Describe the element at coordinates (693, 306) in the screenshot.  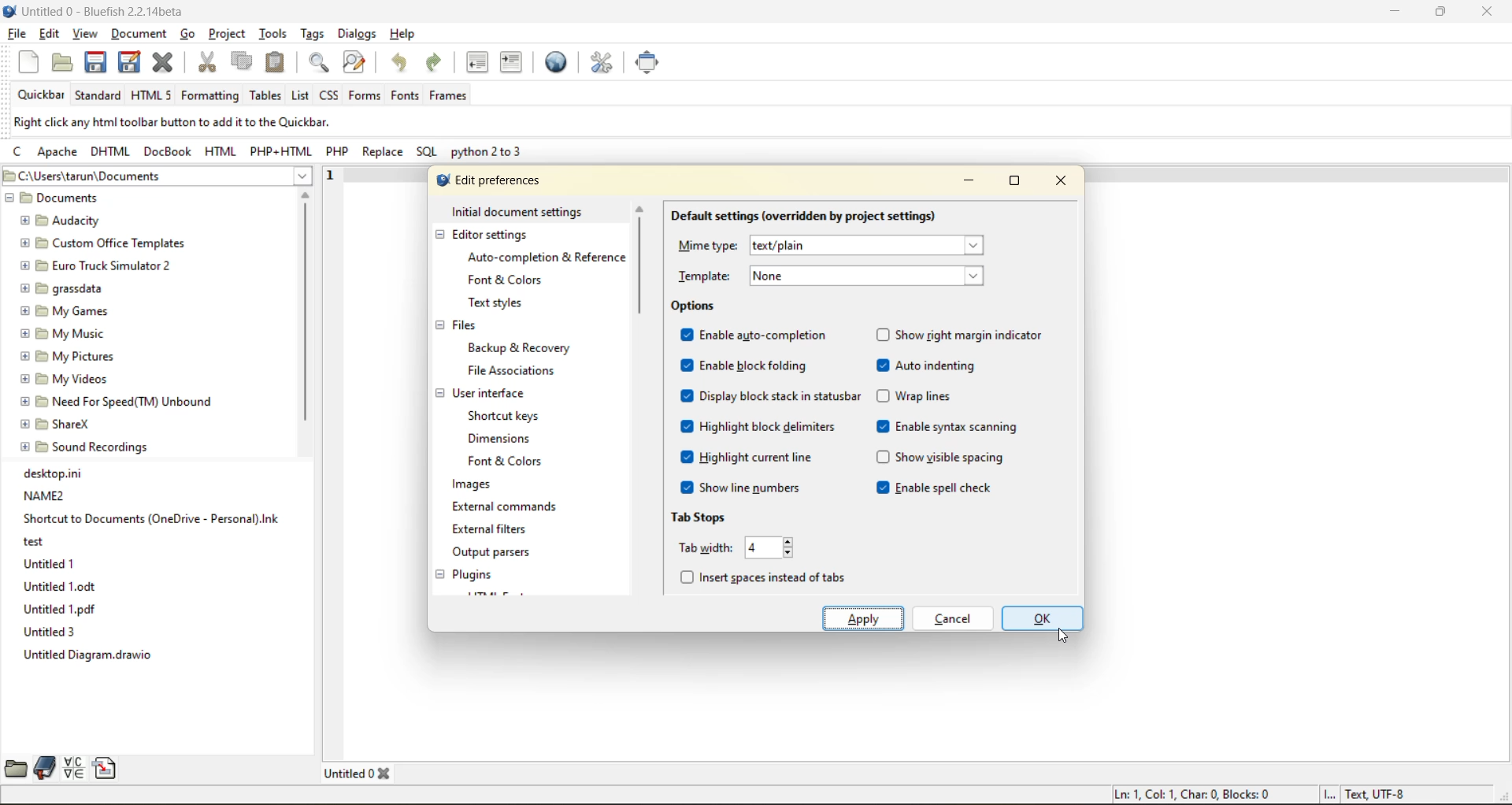
I see `options` at that location.